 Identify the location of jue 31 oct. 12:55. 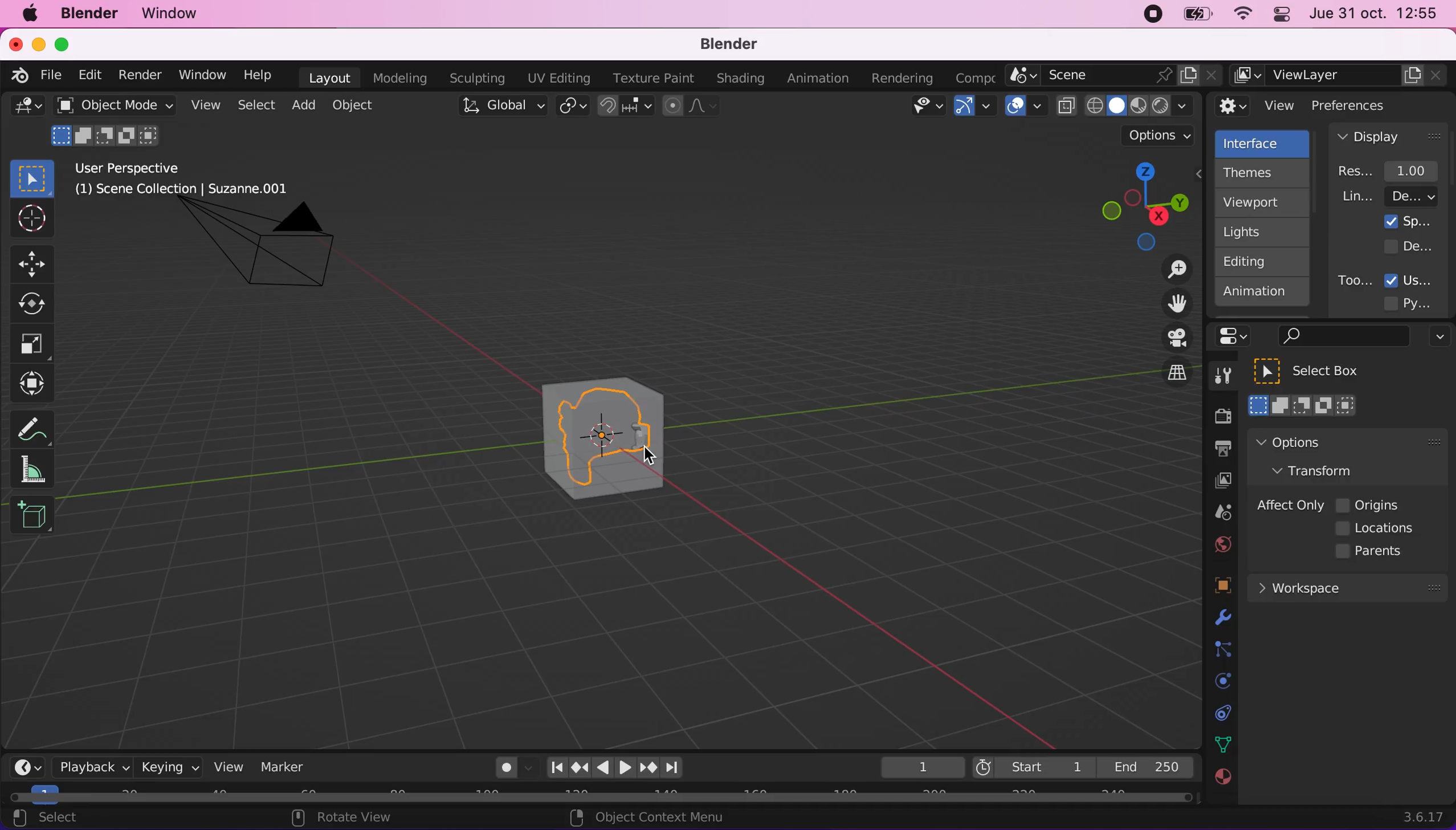
(1374, 14).